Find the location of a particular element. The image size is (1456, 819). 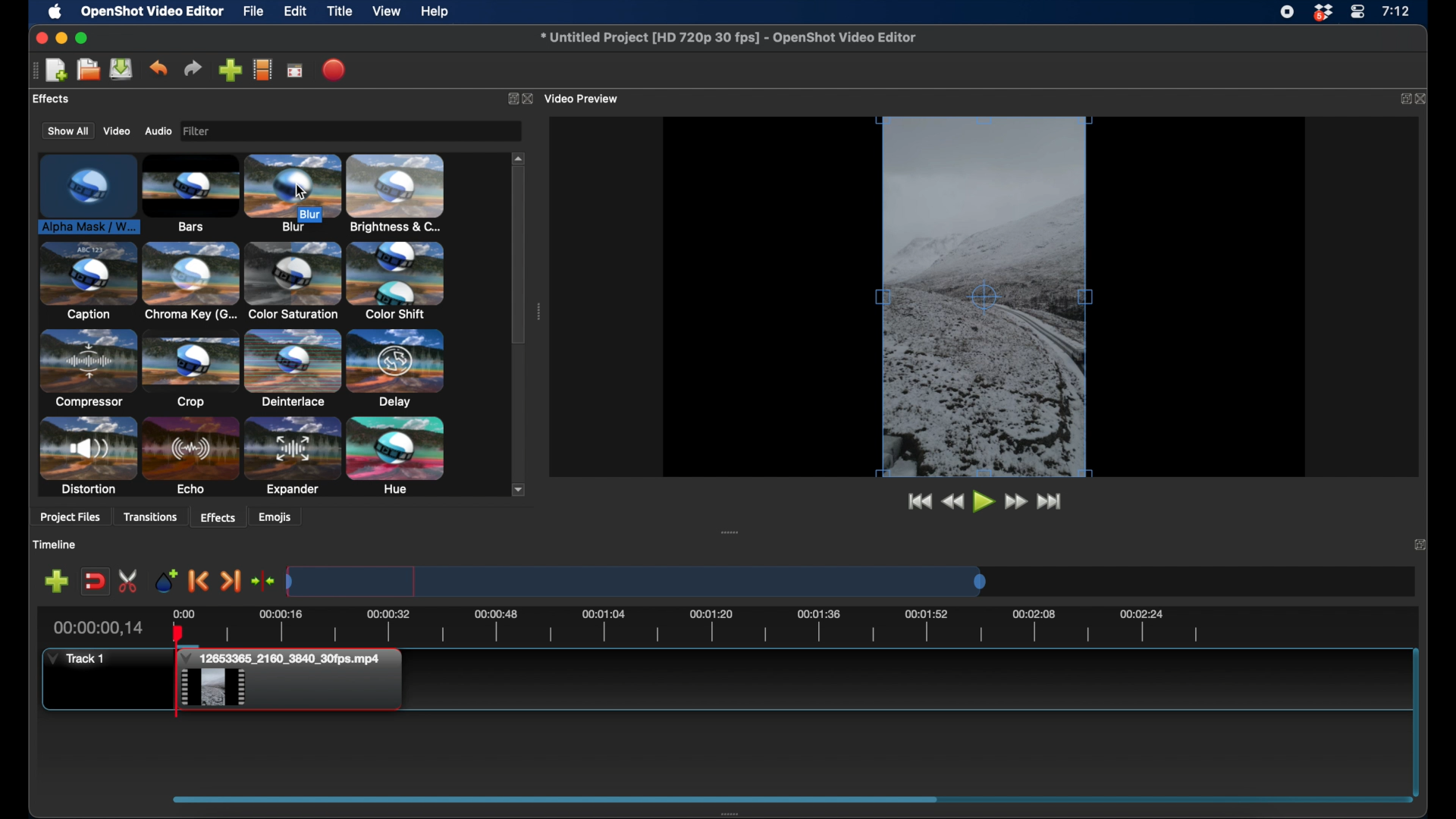

drag handle is located at coordinates (733, 813).